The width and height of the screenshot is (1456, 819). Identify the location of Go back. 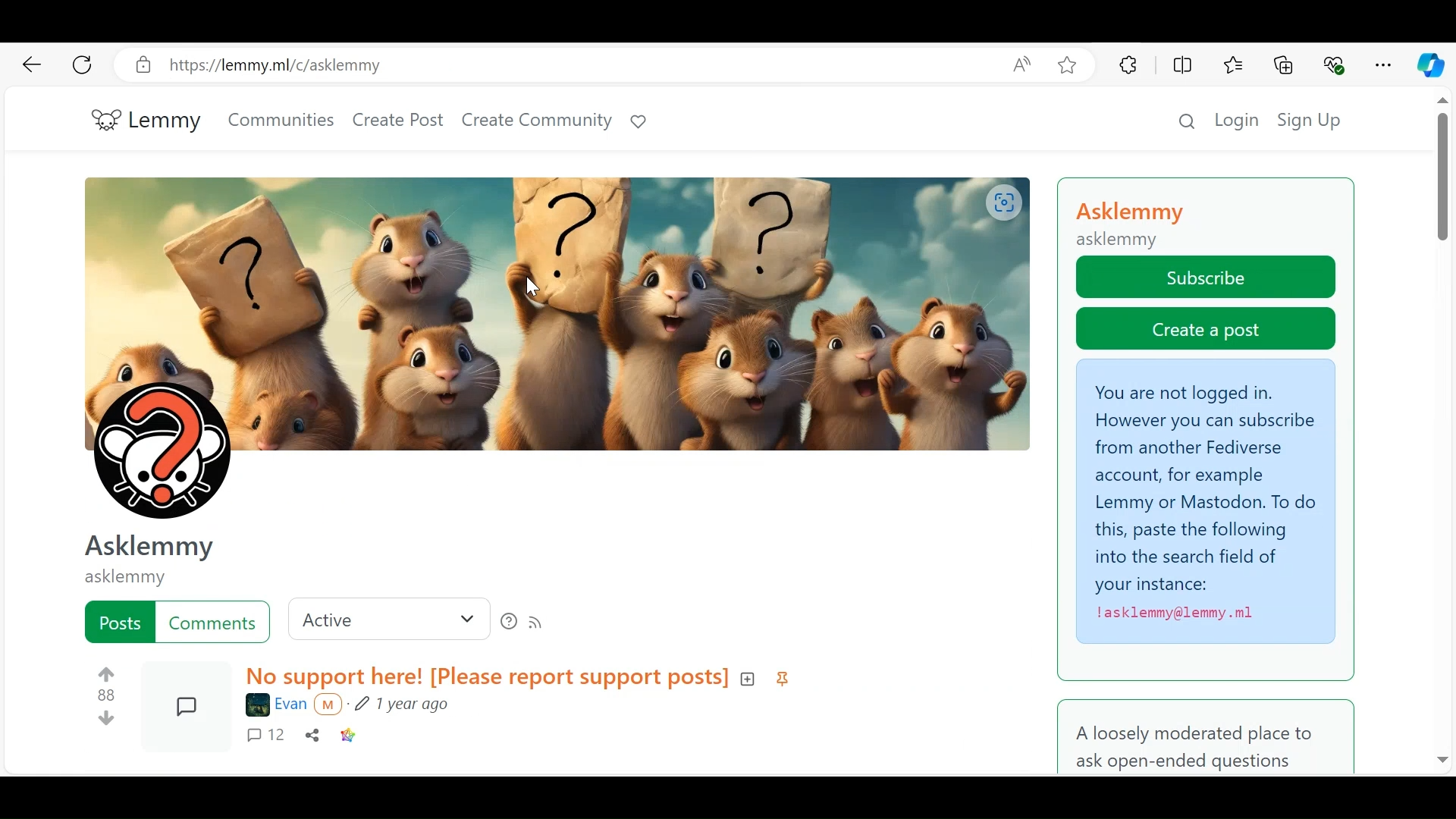
(31, 64).